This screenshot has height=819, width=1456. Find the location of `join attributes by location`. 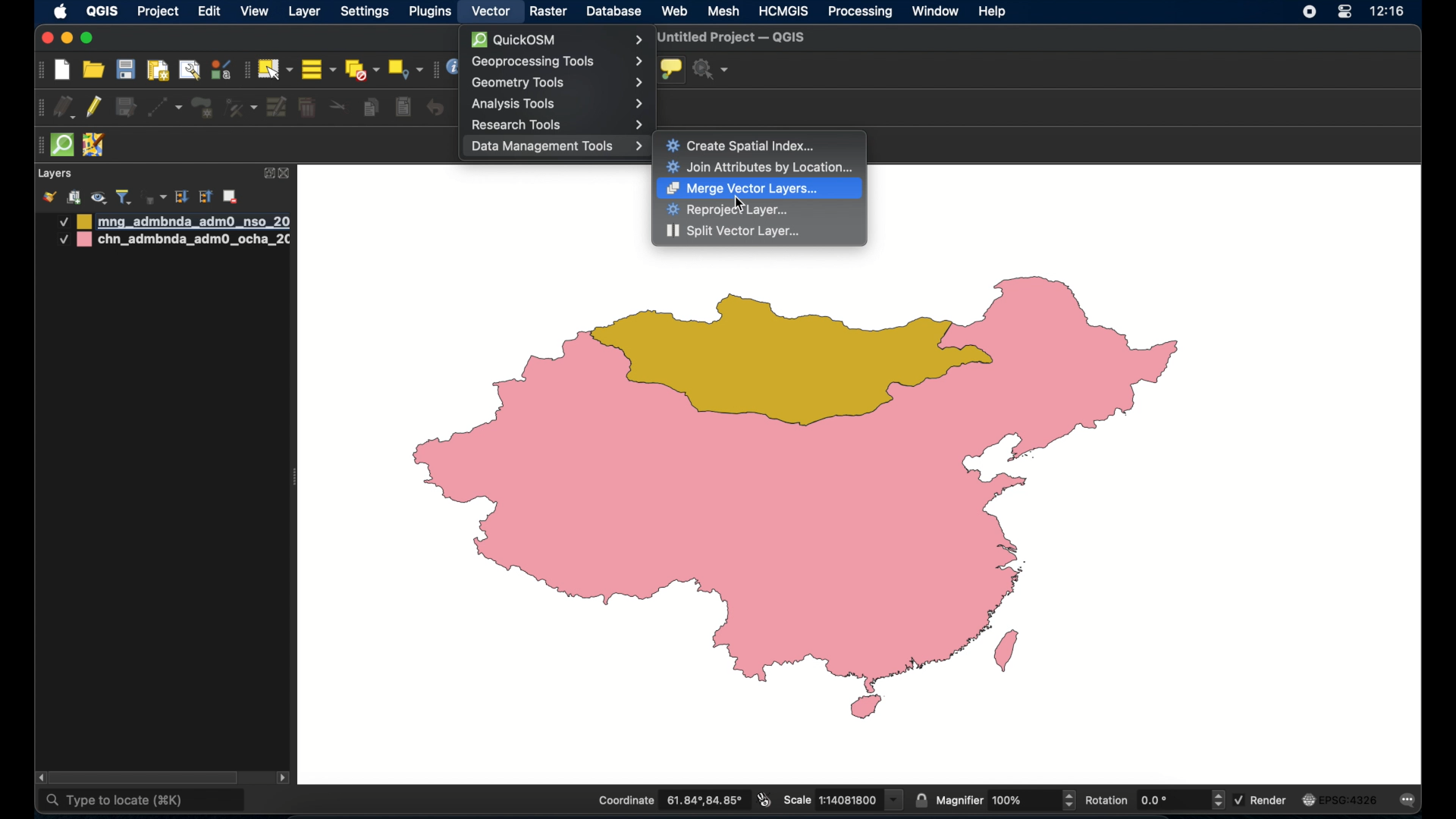

join attributes by location is located at coordinates (761, 168).